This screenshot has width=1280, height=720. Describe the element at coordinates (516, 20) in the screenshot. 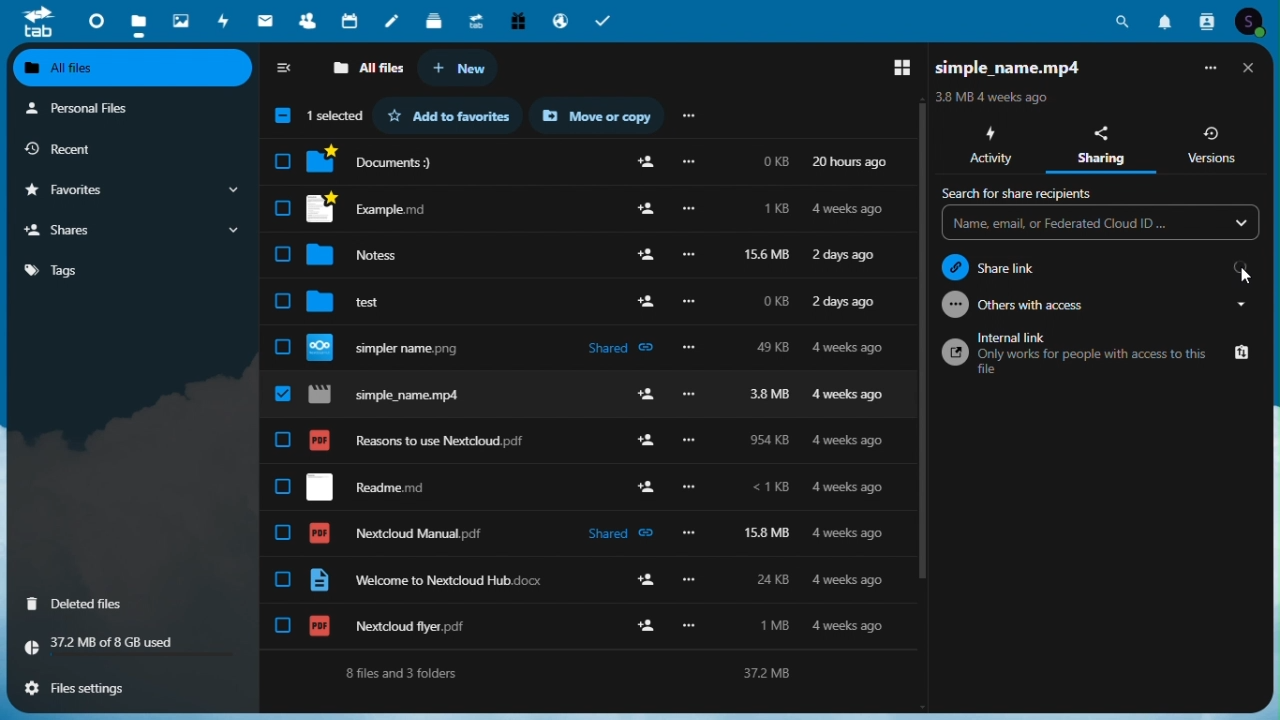

I see `Free trial` at that location.